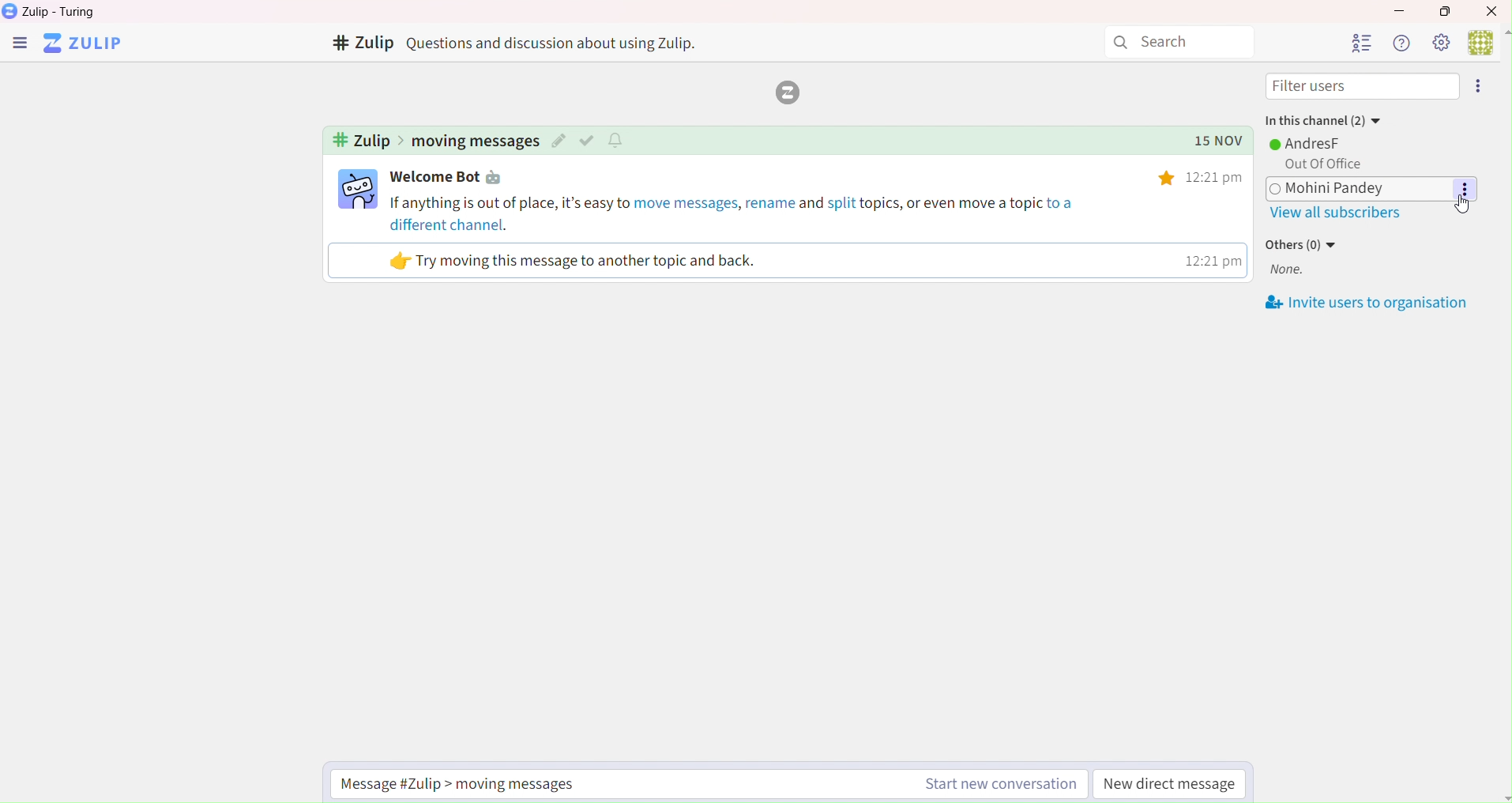 The height and width of the screenshot is (803, 1512). I want to click on Users, so click(1360, 43).